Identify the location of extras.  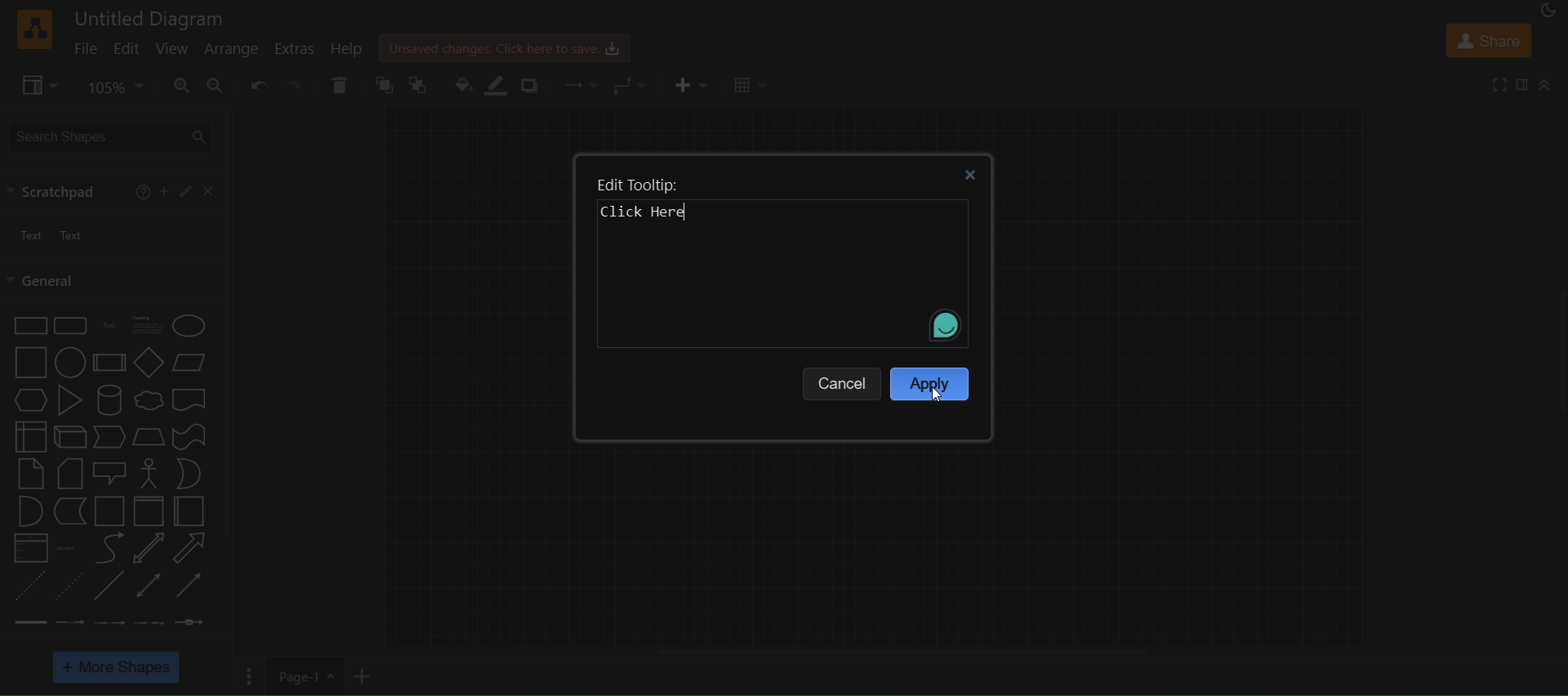
(295, 49).